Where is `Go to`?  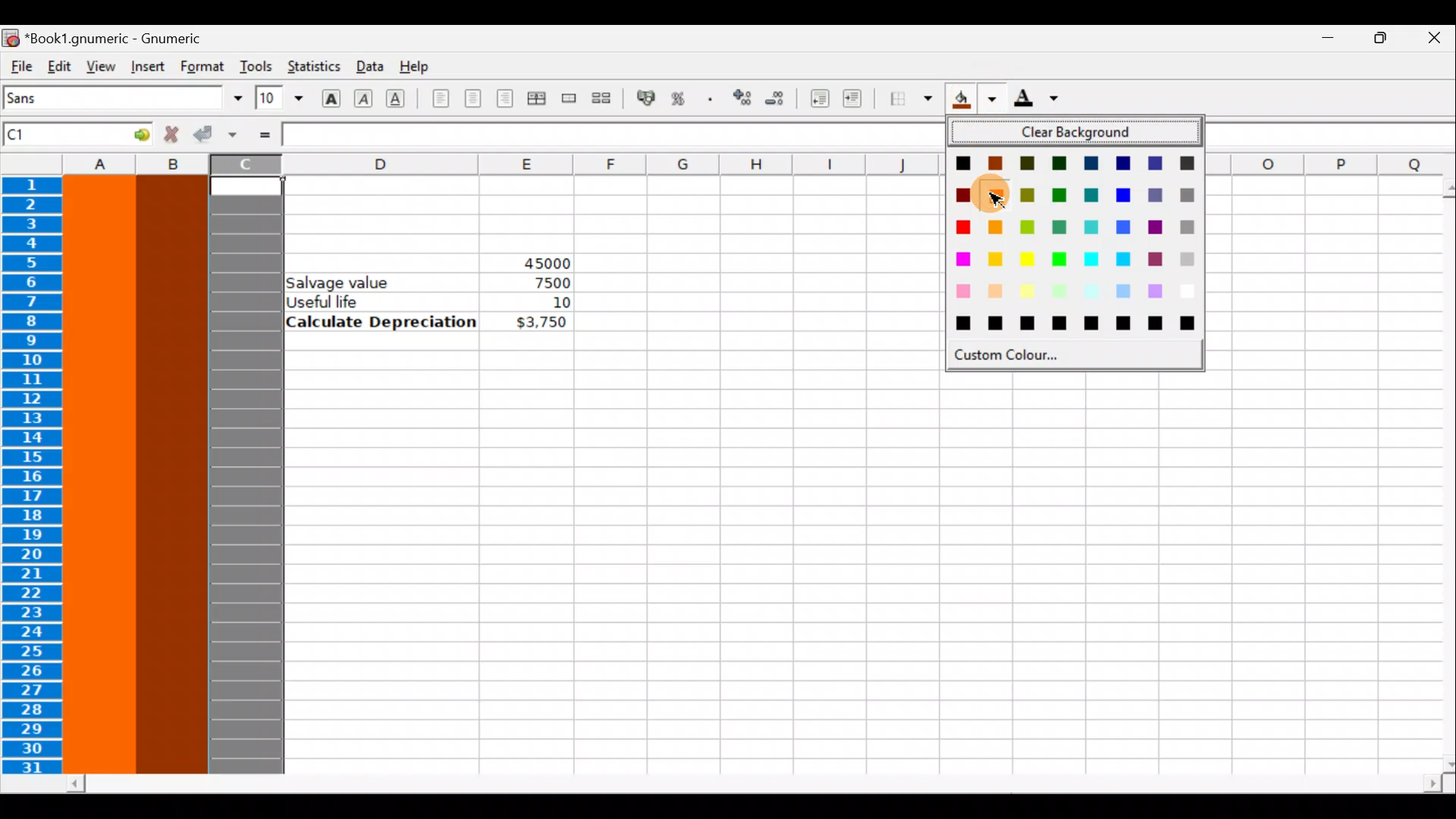
Go to is located at coordinates (131, 133).